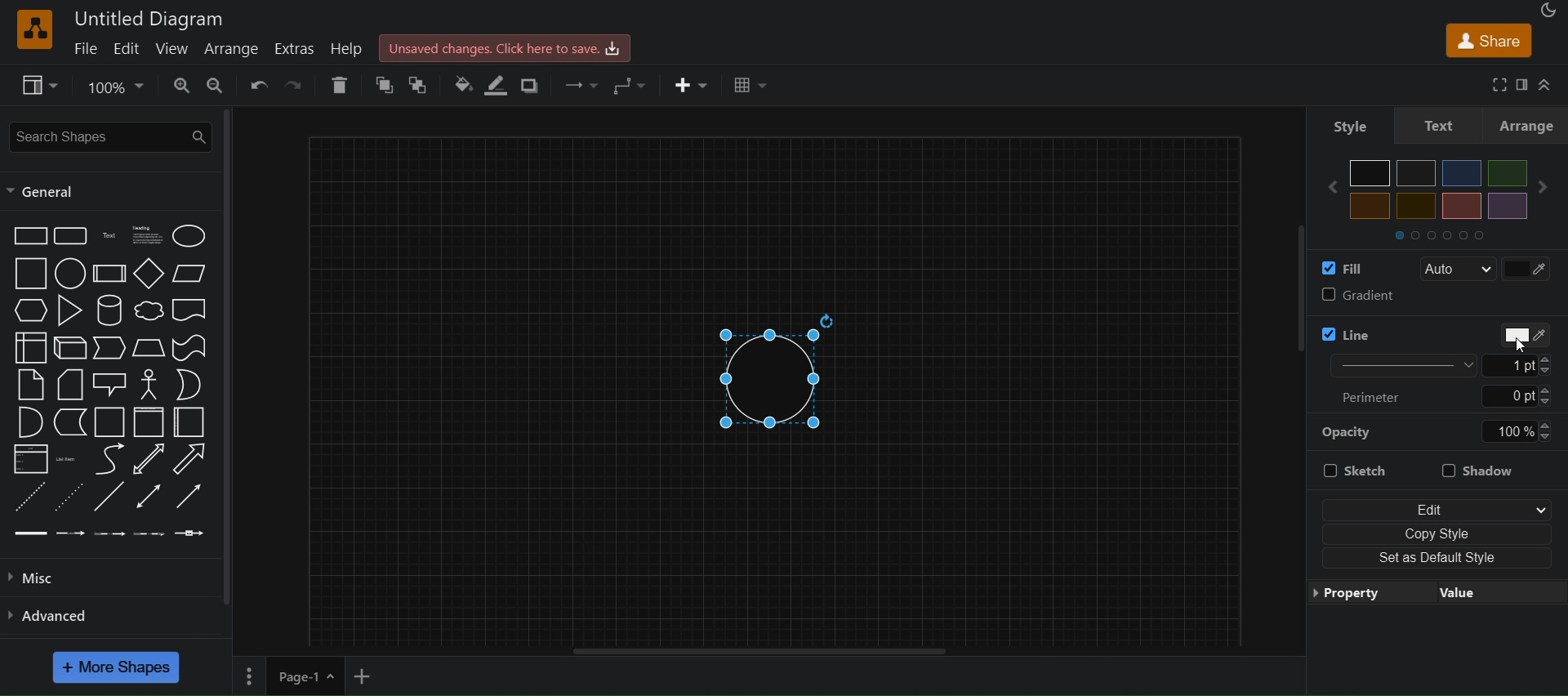  What do you see at coordinates (247, 676) in the screenshot?
I see `More options` at bounding box center [247, 676].